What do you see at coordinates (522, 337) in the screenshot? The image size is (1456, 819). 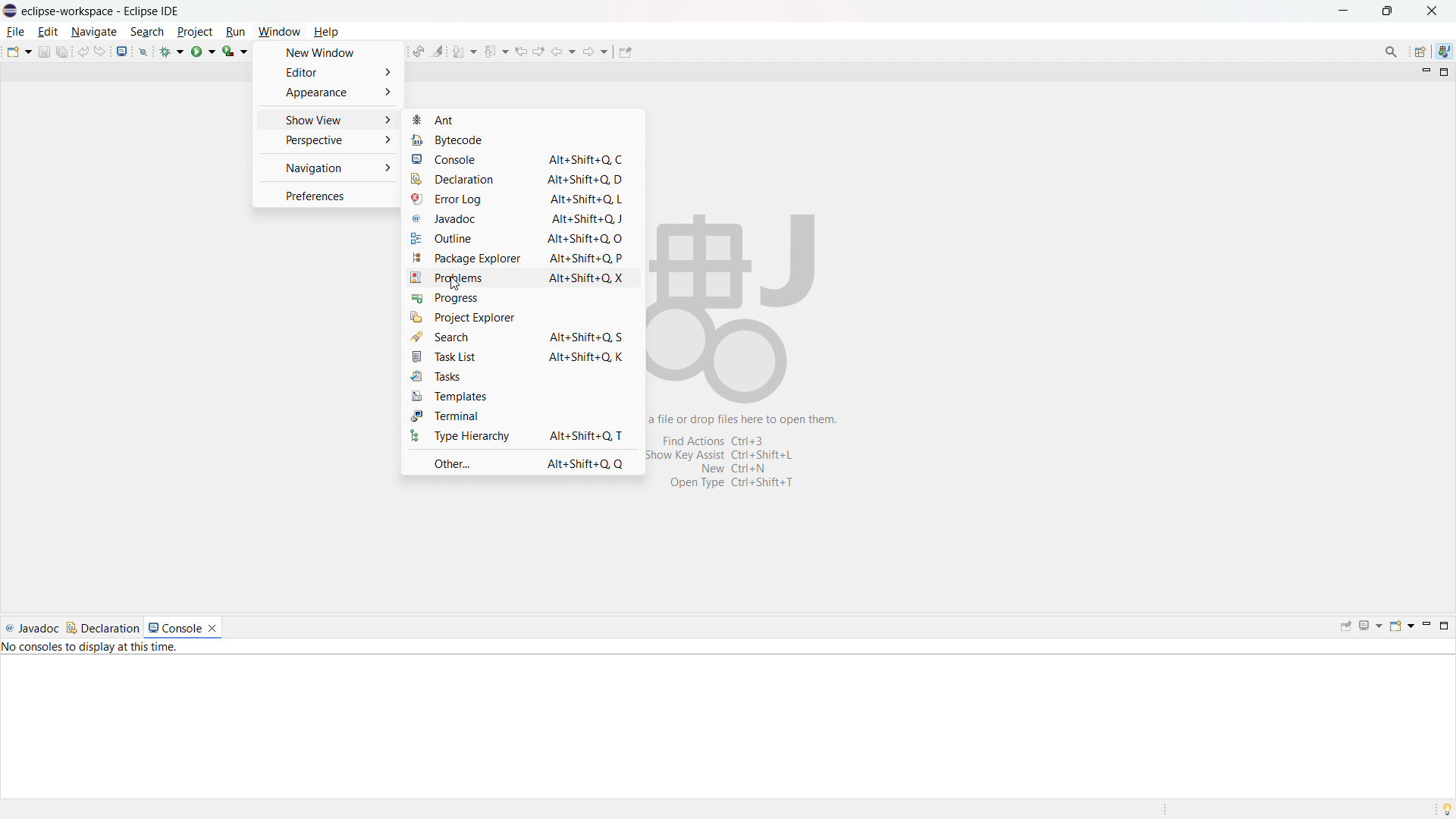 I see `search` at bounding box center [522, 337].